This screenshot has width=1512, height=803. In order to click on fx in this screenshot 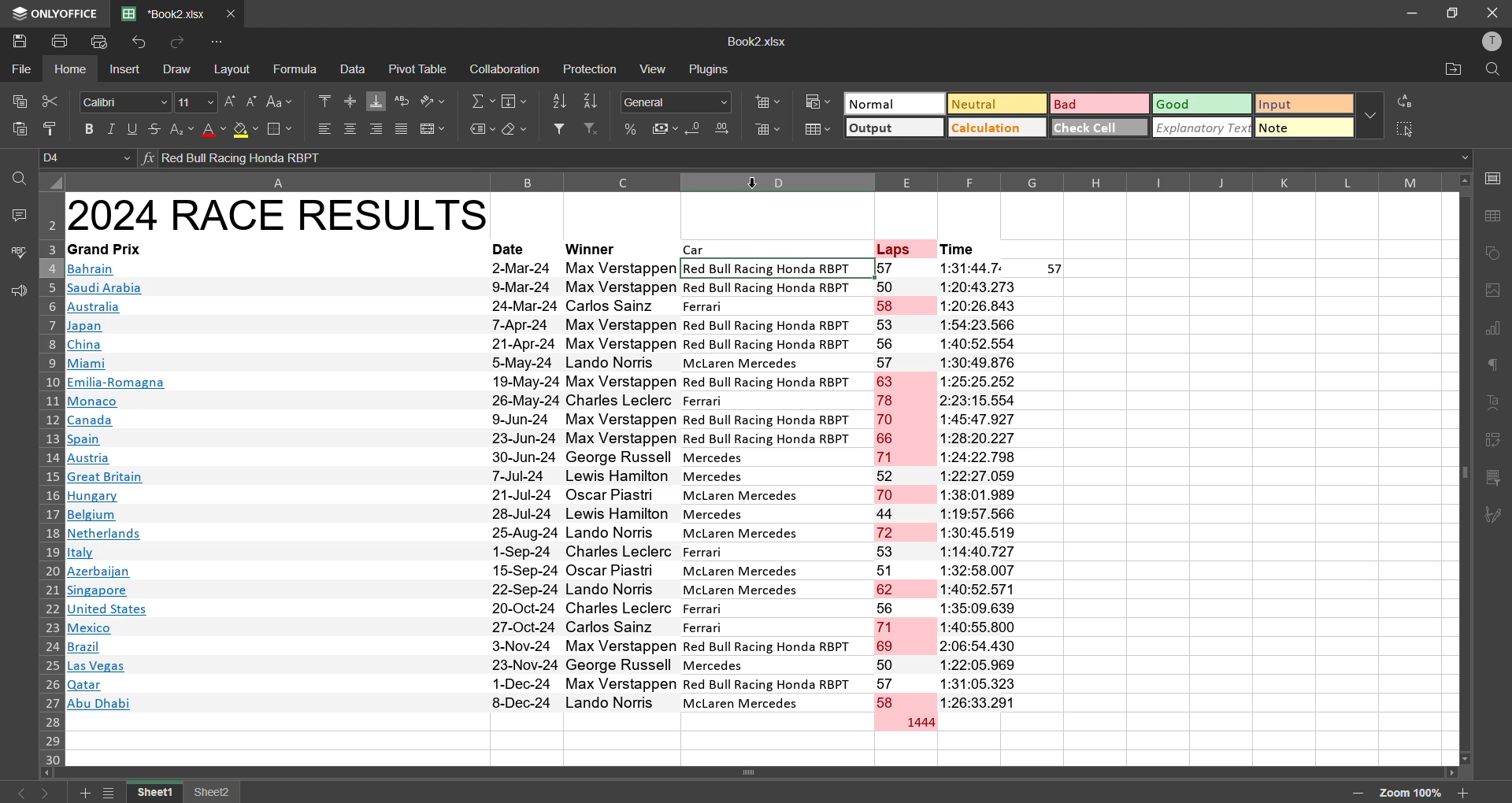, I will do `click(150, 158)`.